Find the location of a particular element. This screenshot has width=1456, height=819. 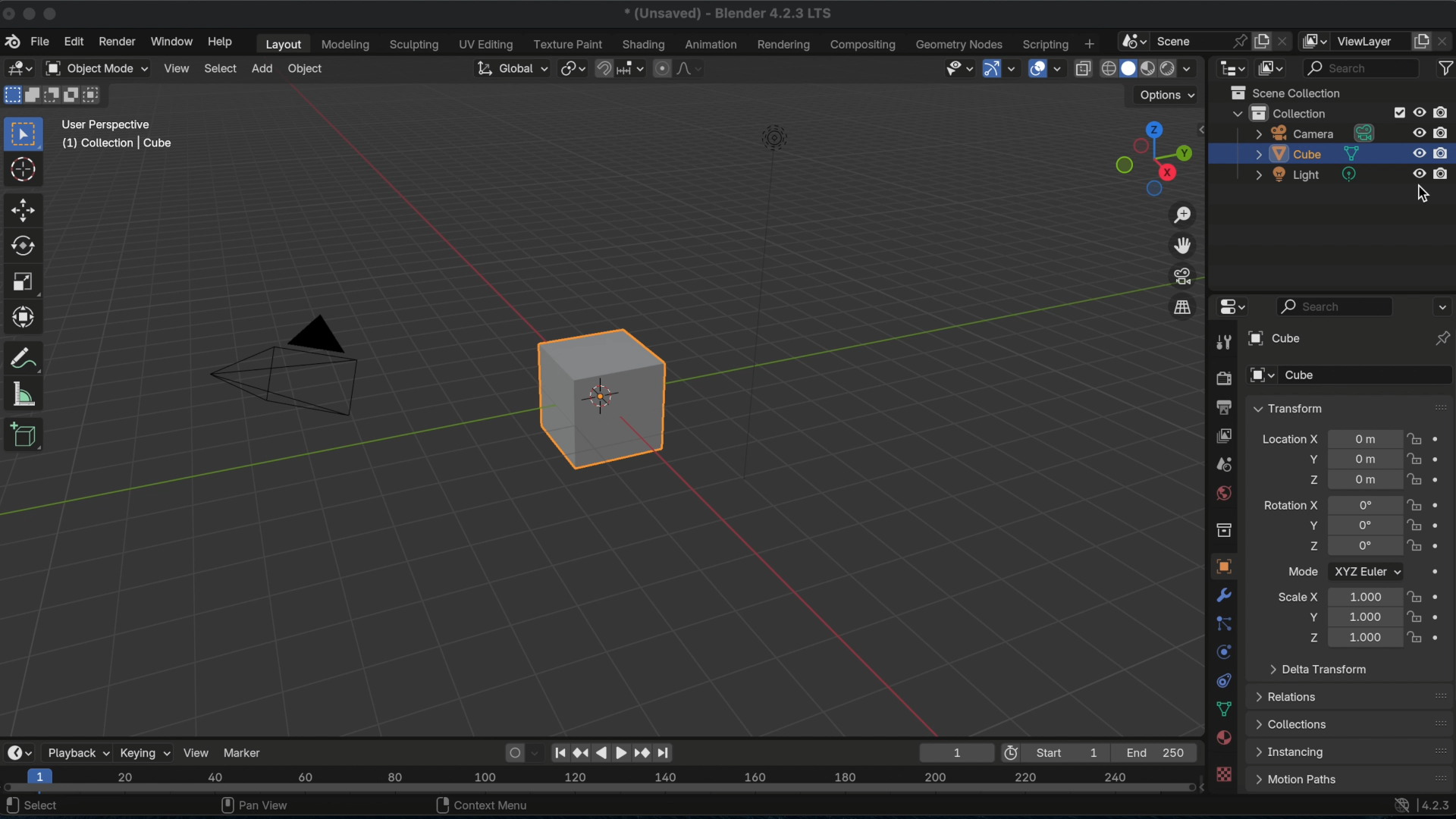

modifiers is located at coordinates (1224, 596).